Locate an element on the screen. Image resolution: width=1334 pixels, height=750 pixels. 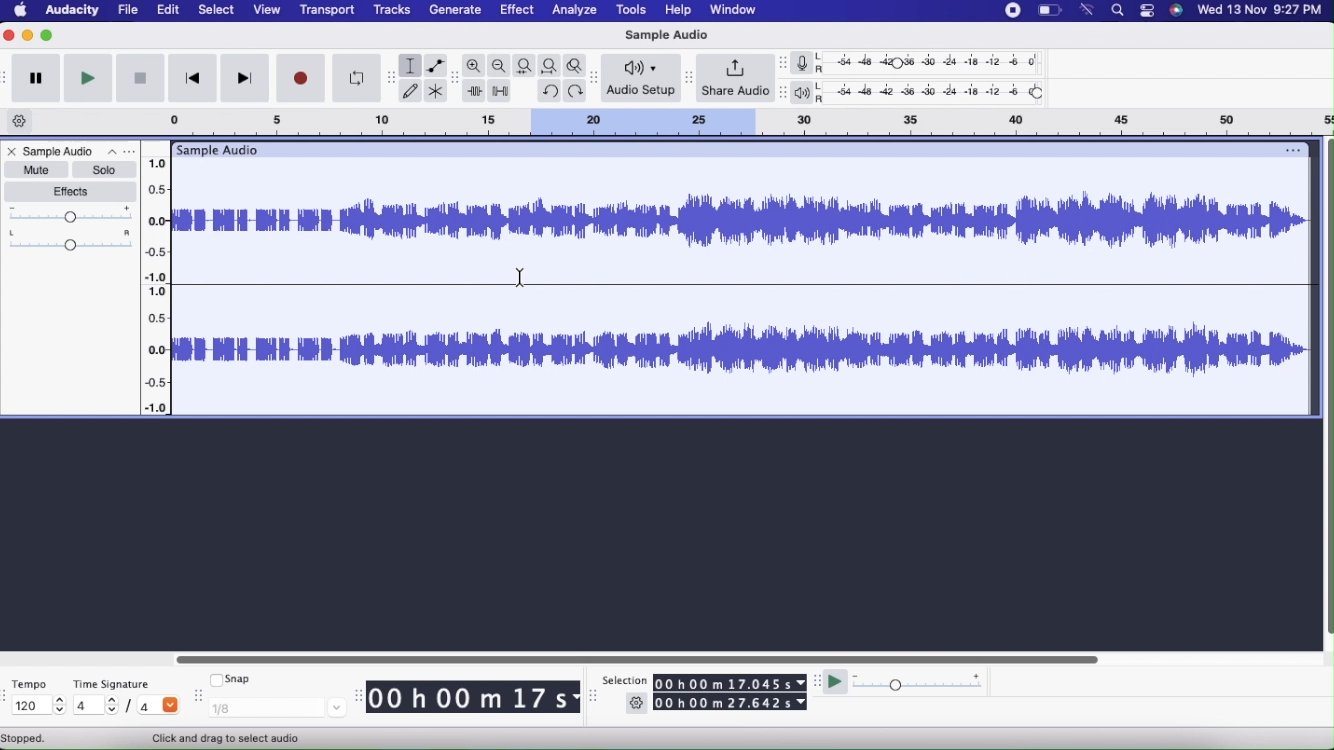
Selection is located at coordinates (624, 681).